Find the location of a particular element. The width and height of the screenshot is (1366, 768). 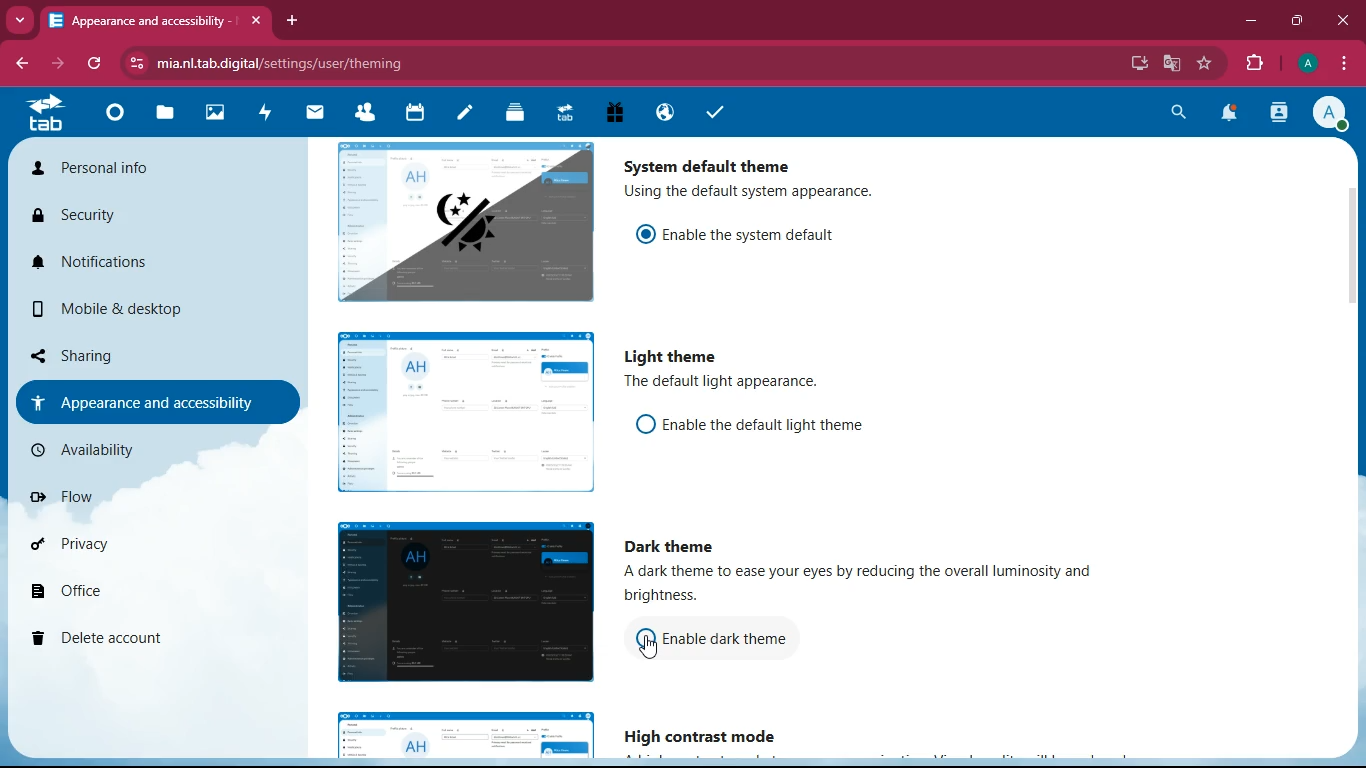

notes is located at coordinates (464, 114).